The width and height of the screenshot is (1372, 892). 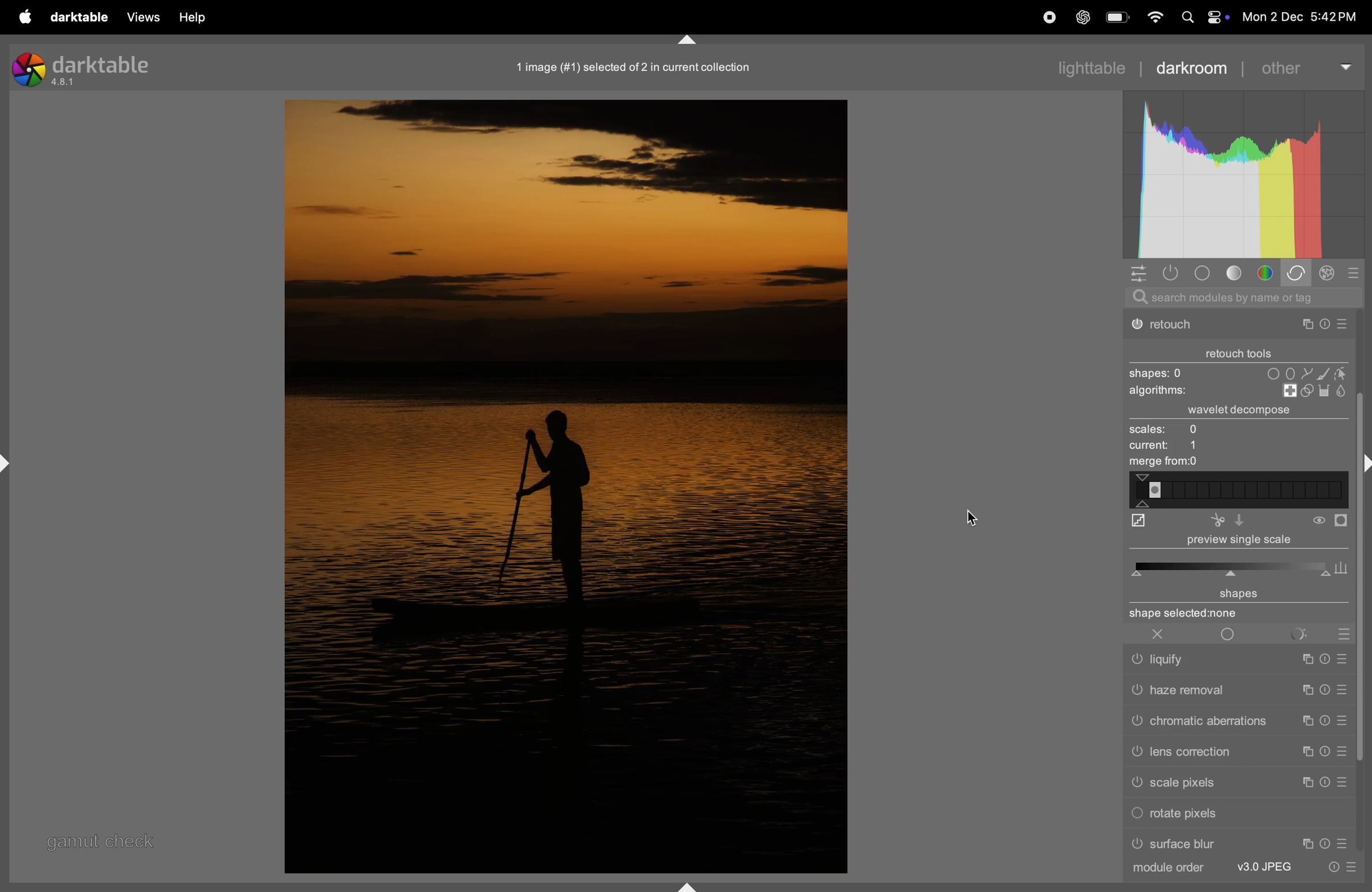 What do you see at coordinates (1238, 756) in the screenshot?
I see `Lens correction` at bounding box center [1238, 756].